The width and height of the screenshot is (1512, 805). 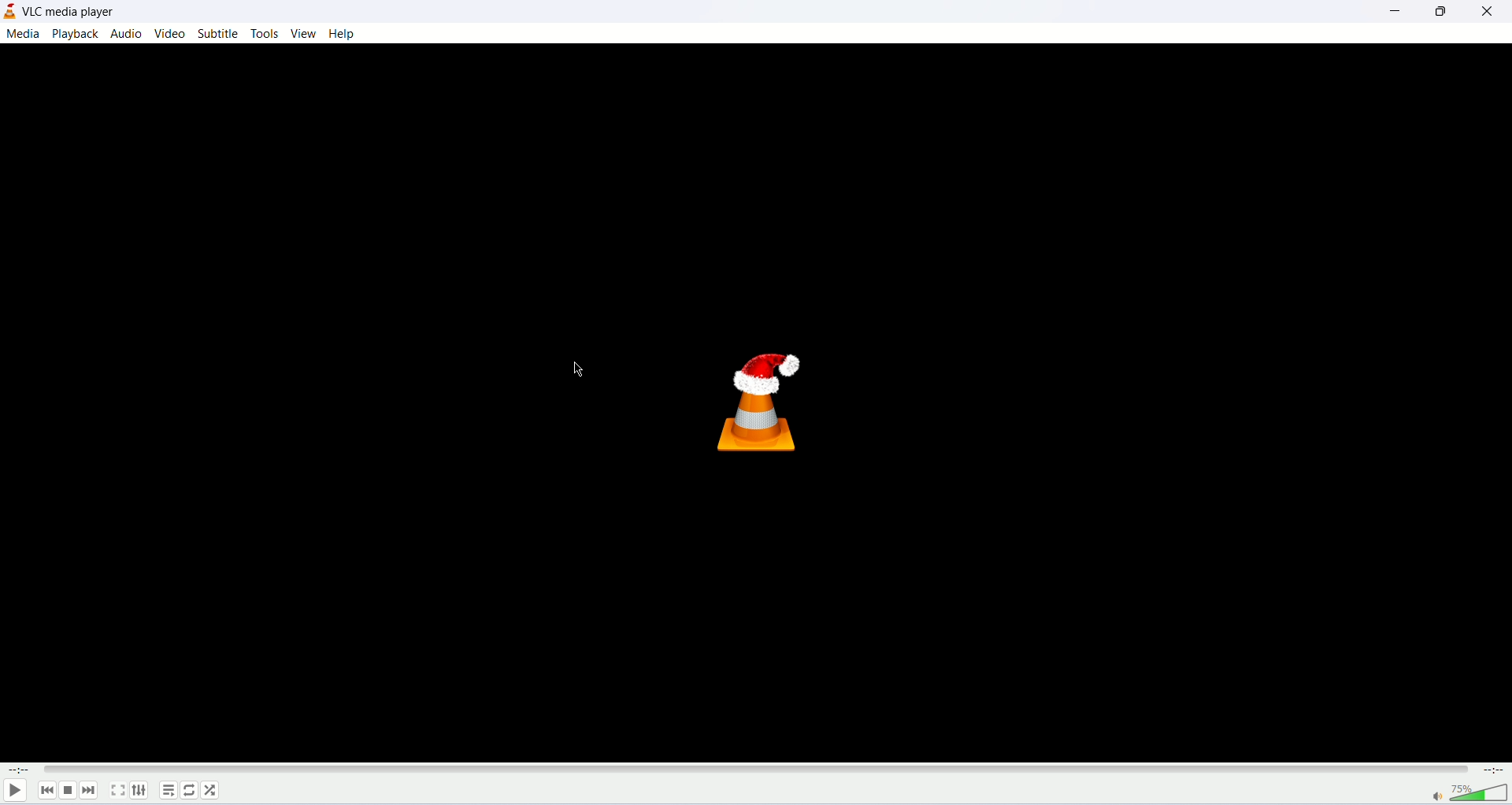 What do you see at coordinates (1443, 12) in the screenshot?
I see `maximize` at bounding box center [1443, 12].